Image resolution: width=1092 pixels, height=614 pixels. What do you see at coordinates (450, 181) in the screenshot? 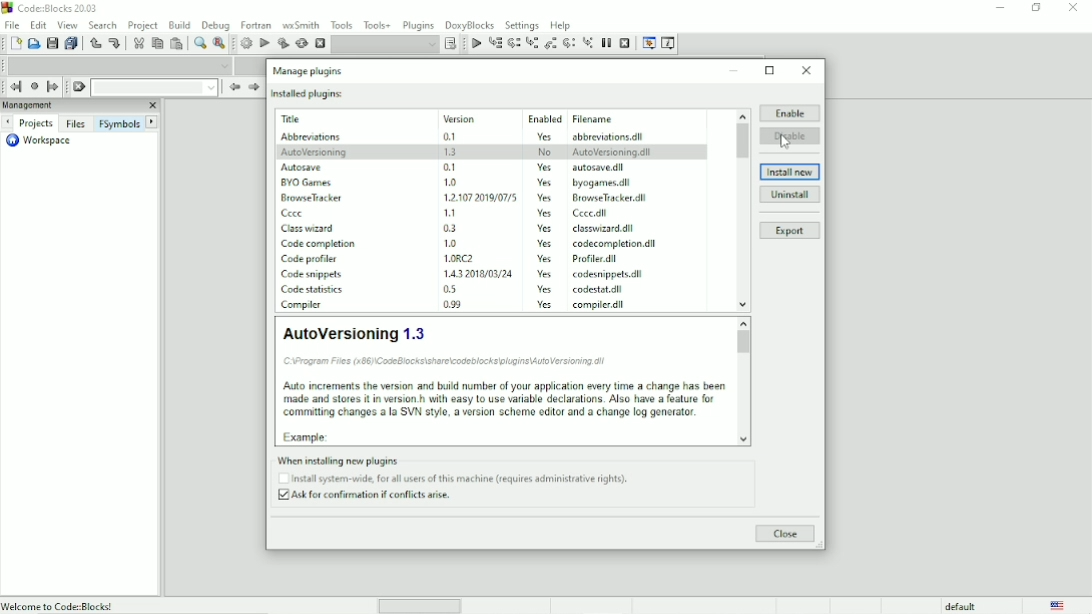
I see `1.0` at bounding box center [450, 181].